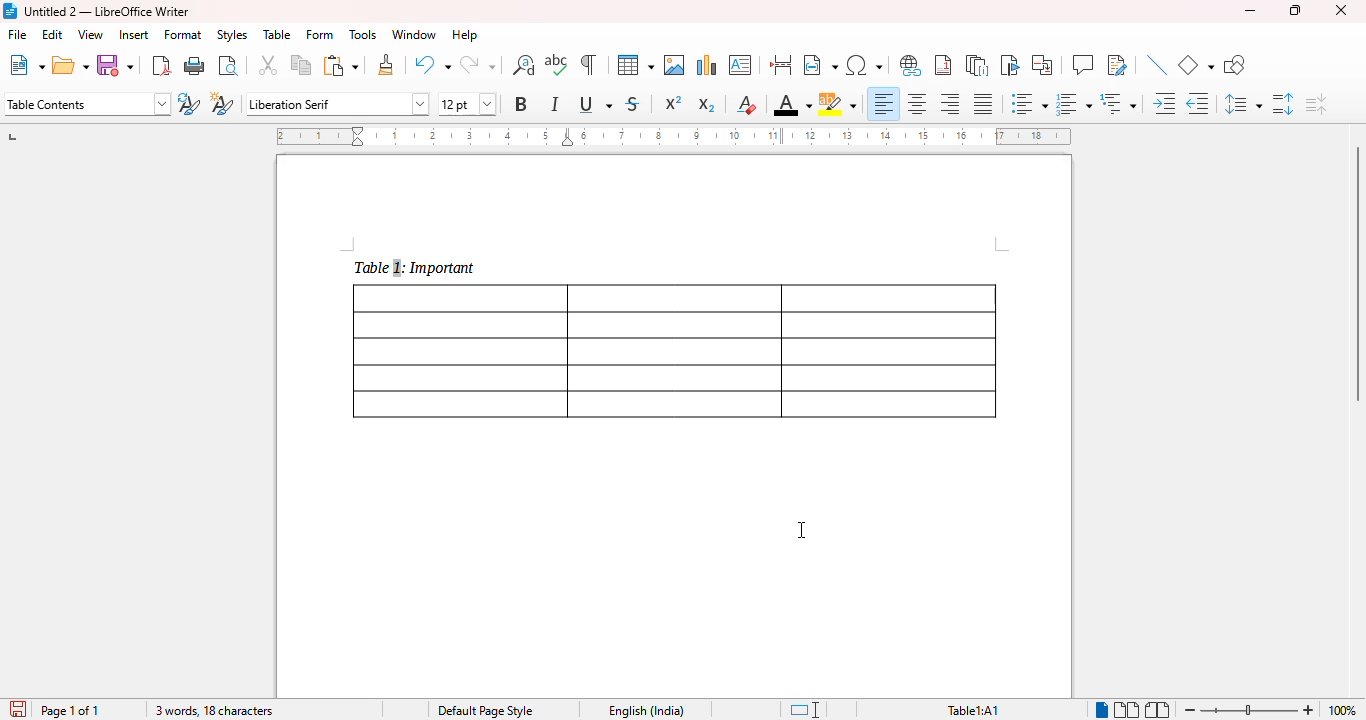 The image size is (1366, 720). I want to click on table, so click(675, 351).